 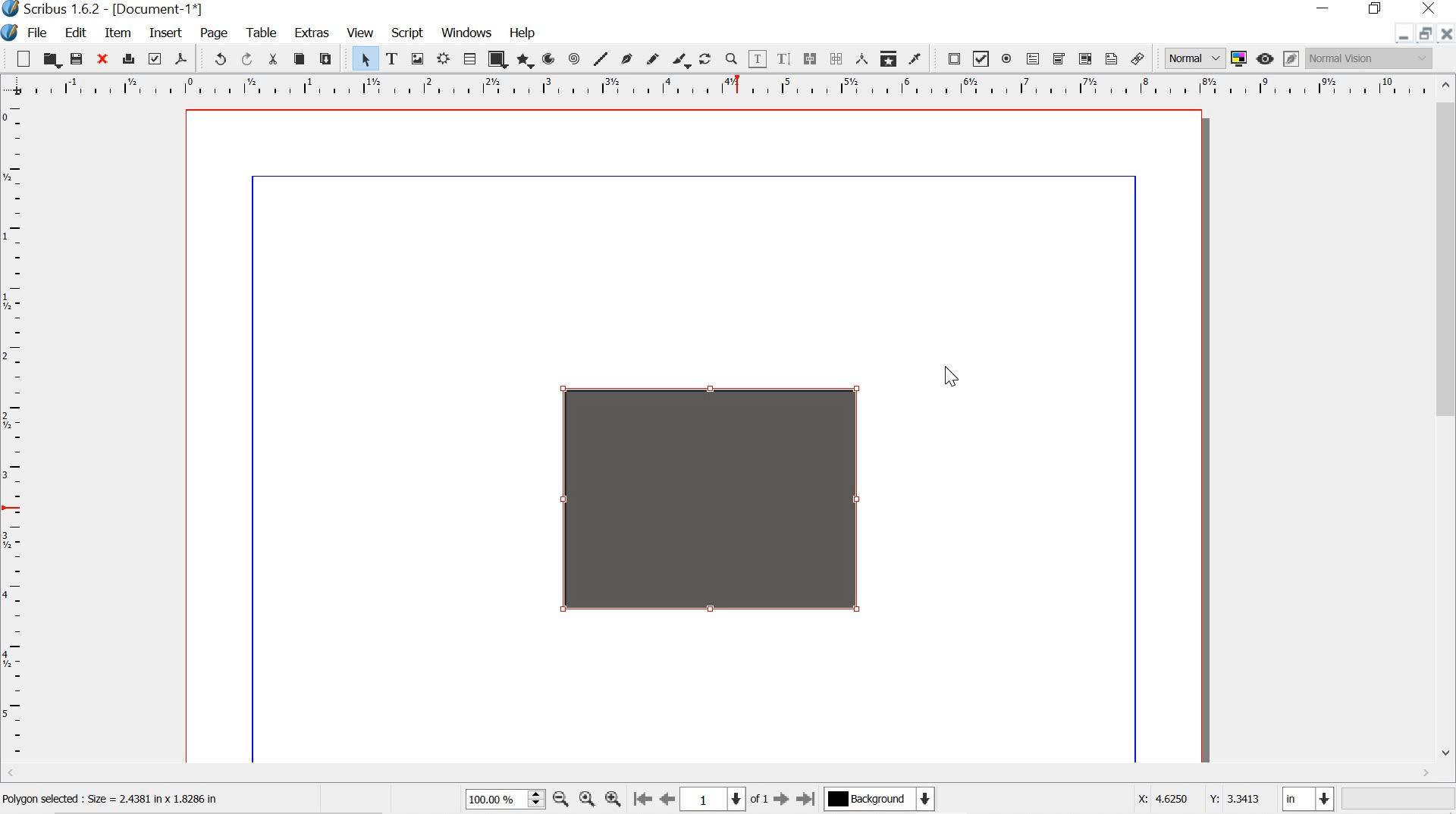 I want to click on spiral, so click(x=573, y=58).